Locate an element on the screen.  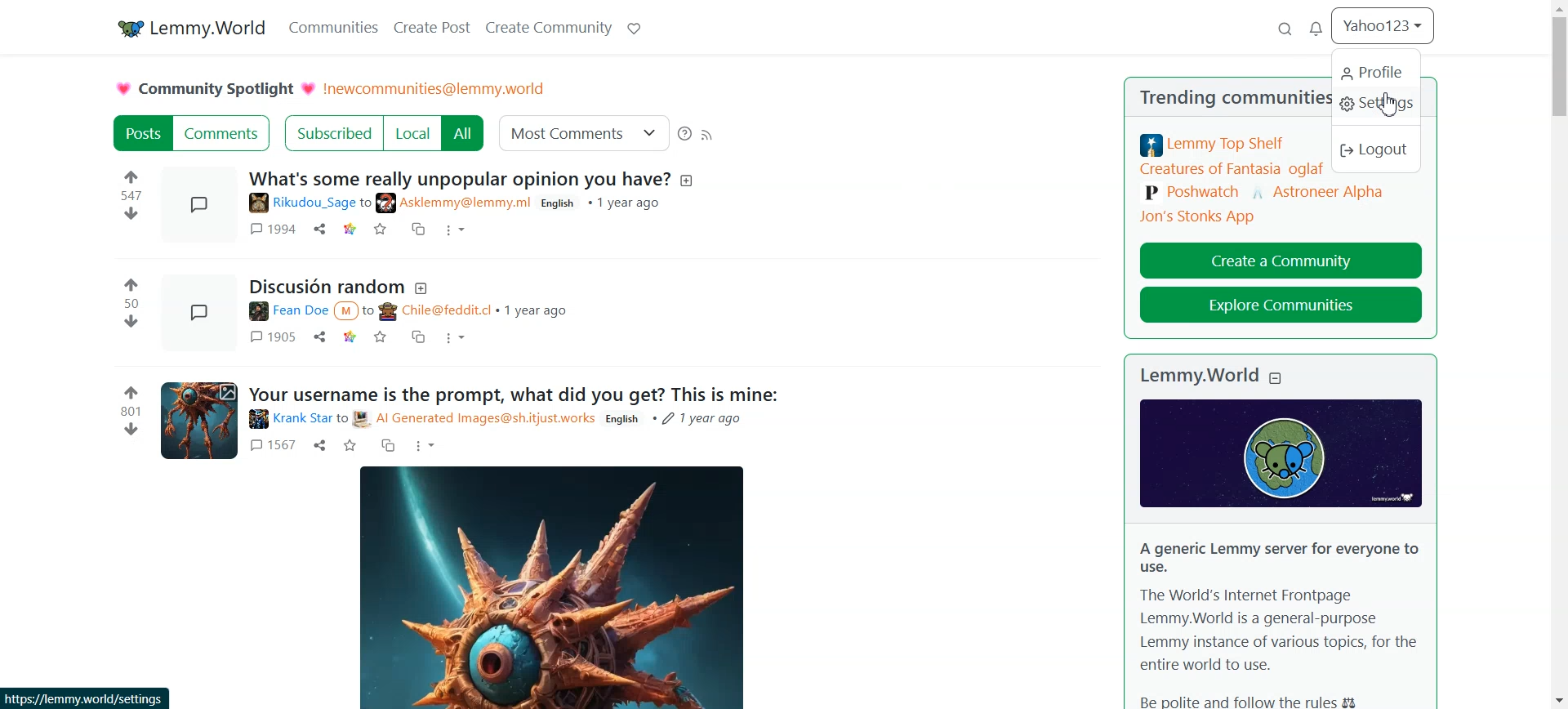
downvote is located at coordinates (132, 322).